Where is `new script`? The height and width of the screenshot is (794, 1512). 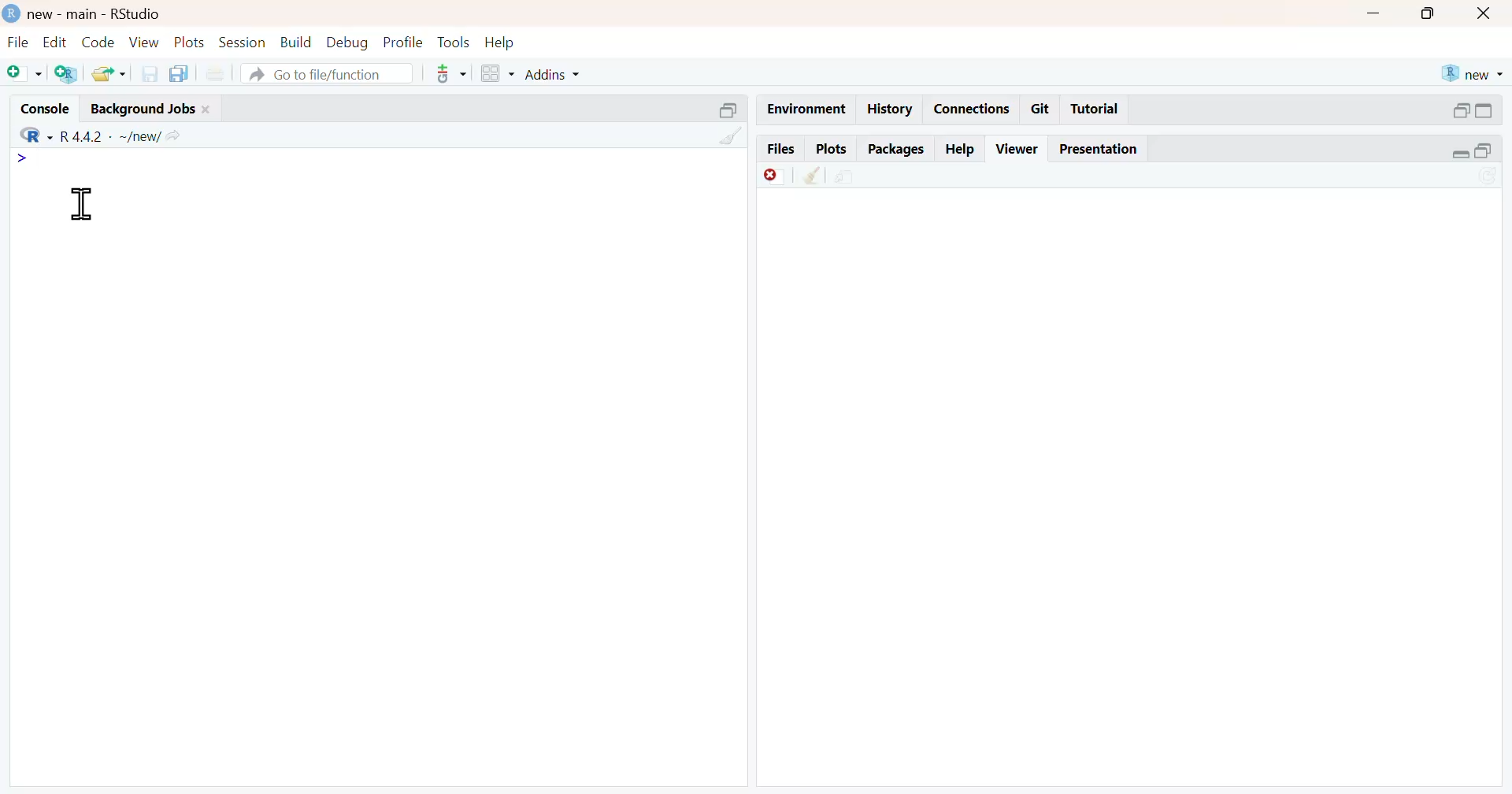
new script is located at coordinates (24, 74).